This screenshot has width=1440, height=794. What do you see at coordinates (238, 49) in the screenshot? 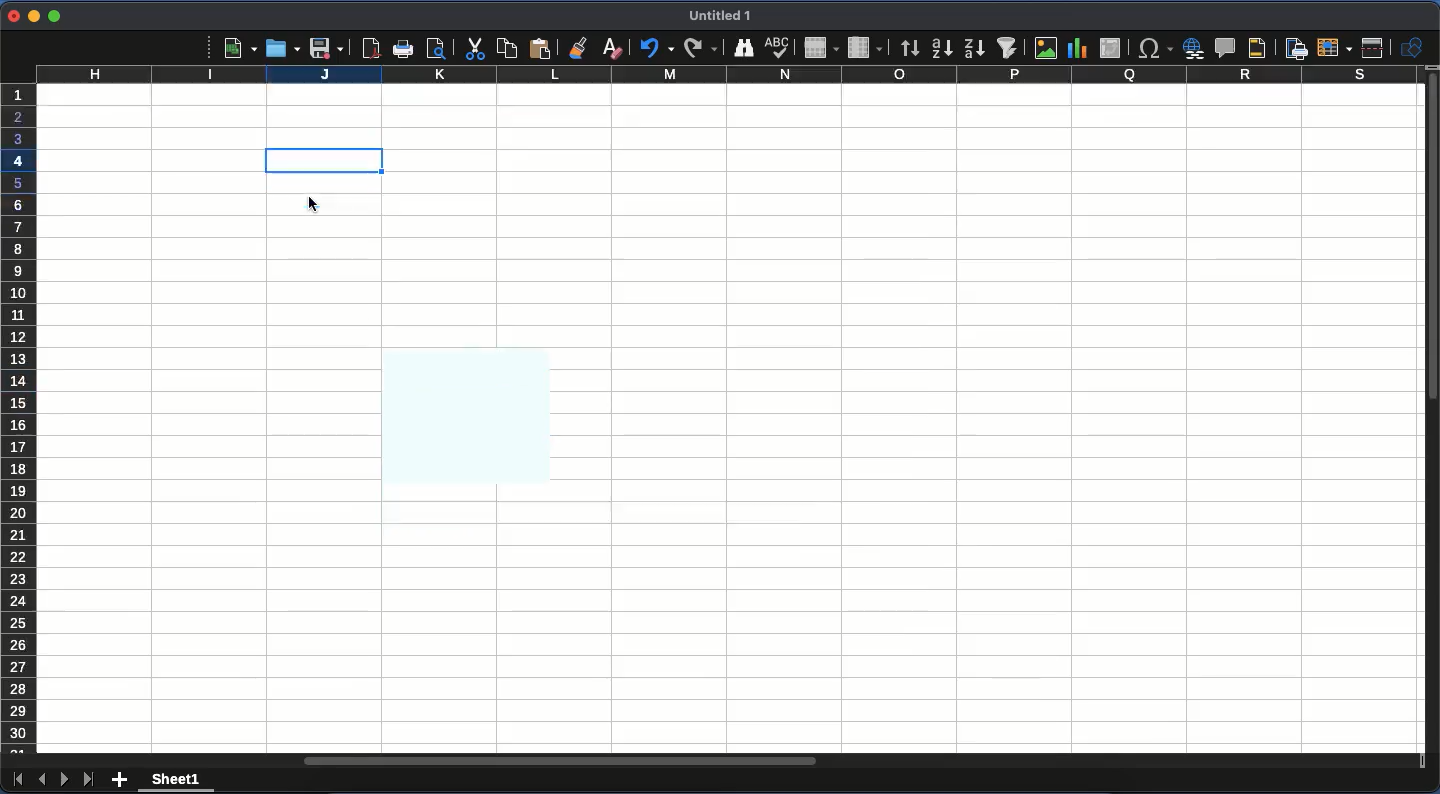
I see `new` at bounding box center [238, 49].